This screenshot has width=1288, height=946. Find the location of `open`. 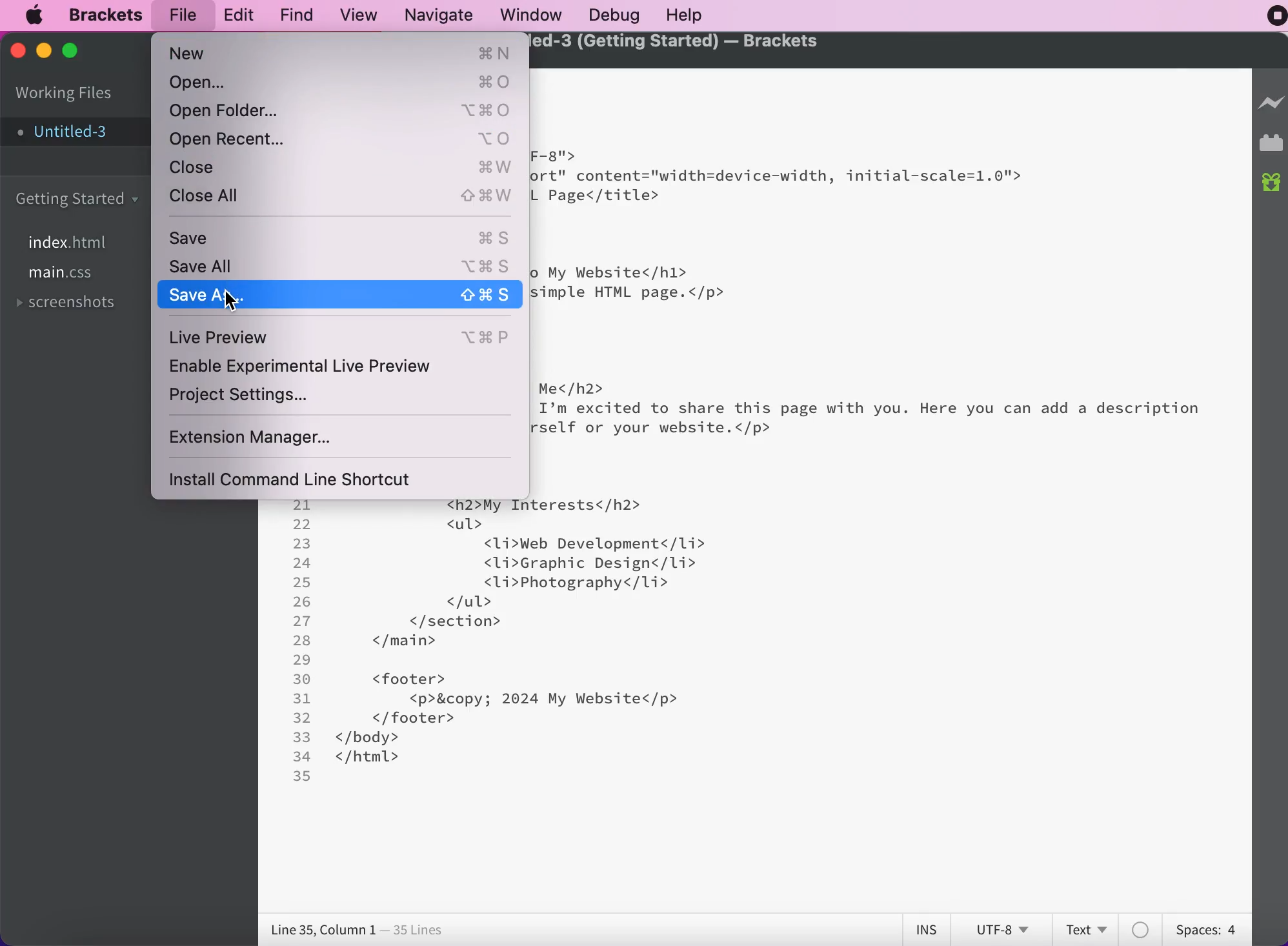

open is located at coordinates (342, 83).